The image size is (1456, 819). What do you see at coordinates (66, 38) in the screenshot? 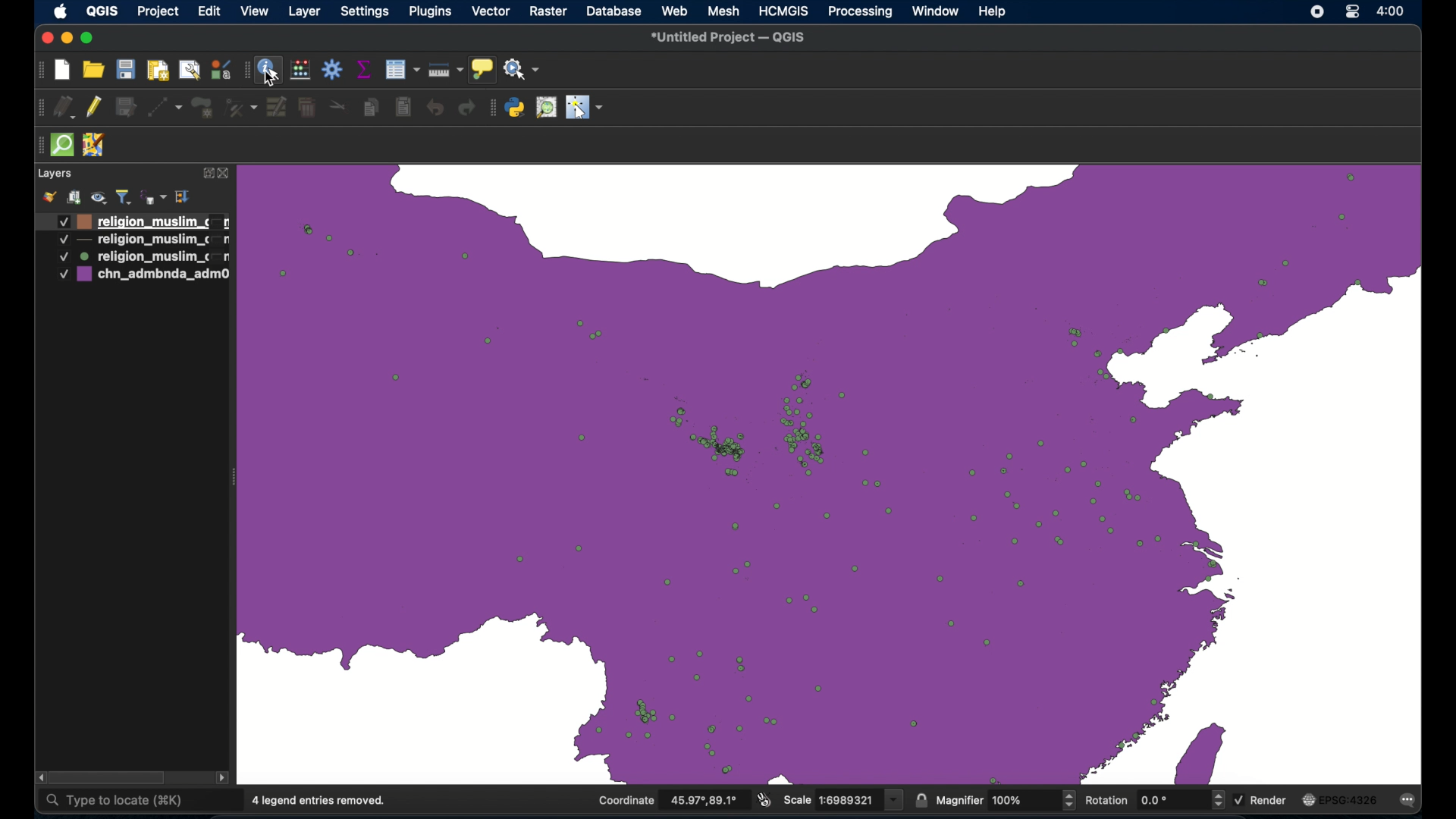
I see `minimize` at bounding box center [66, 38].